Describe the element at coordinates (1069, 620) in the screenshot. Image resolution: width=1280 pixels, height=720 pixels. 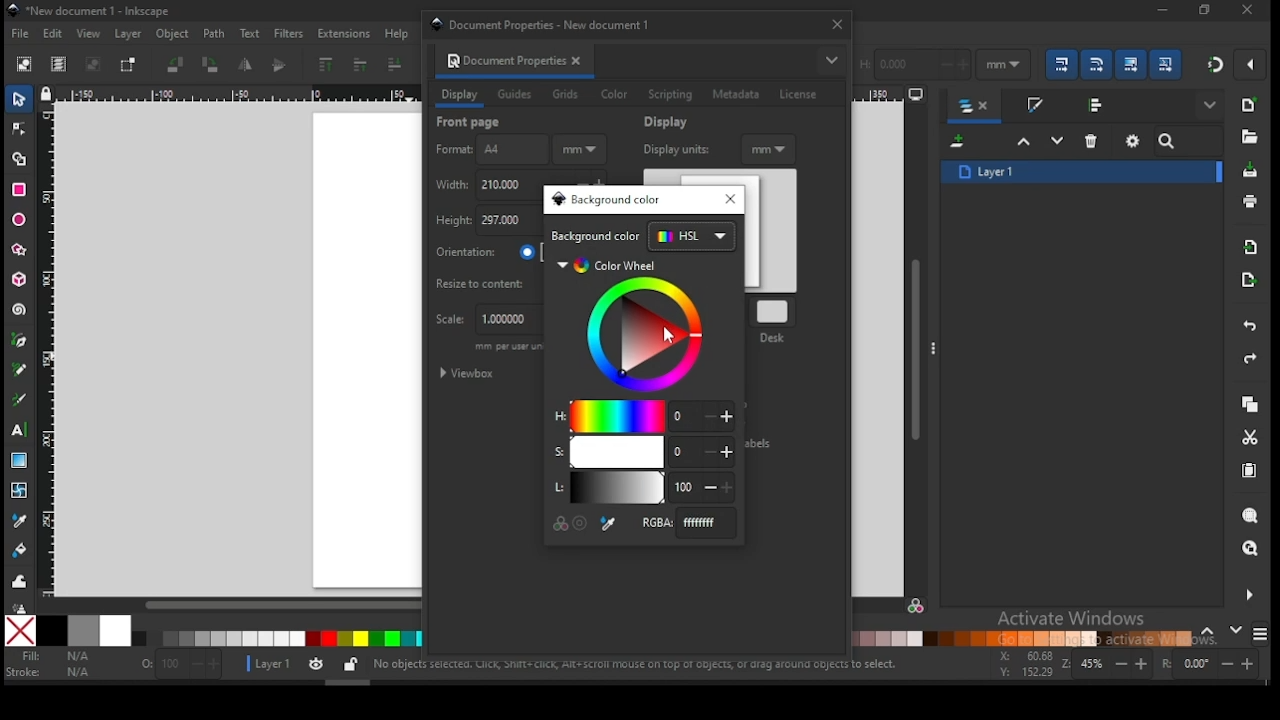
I see `activate windows` at that location.